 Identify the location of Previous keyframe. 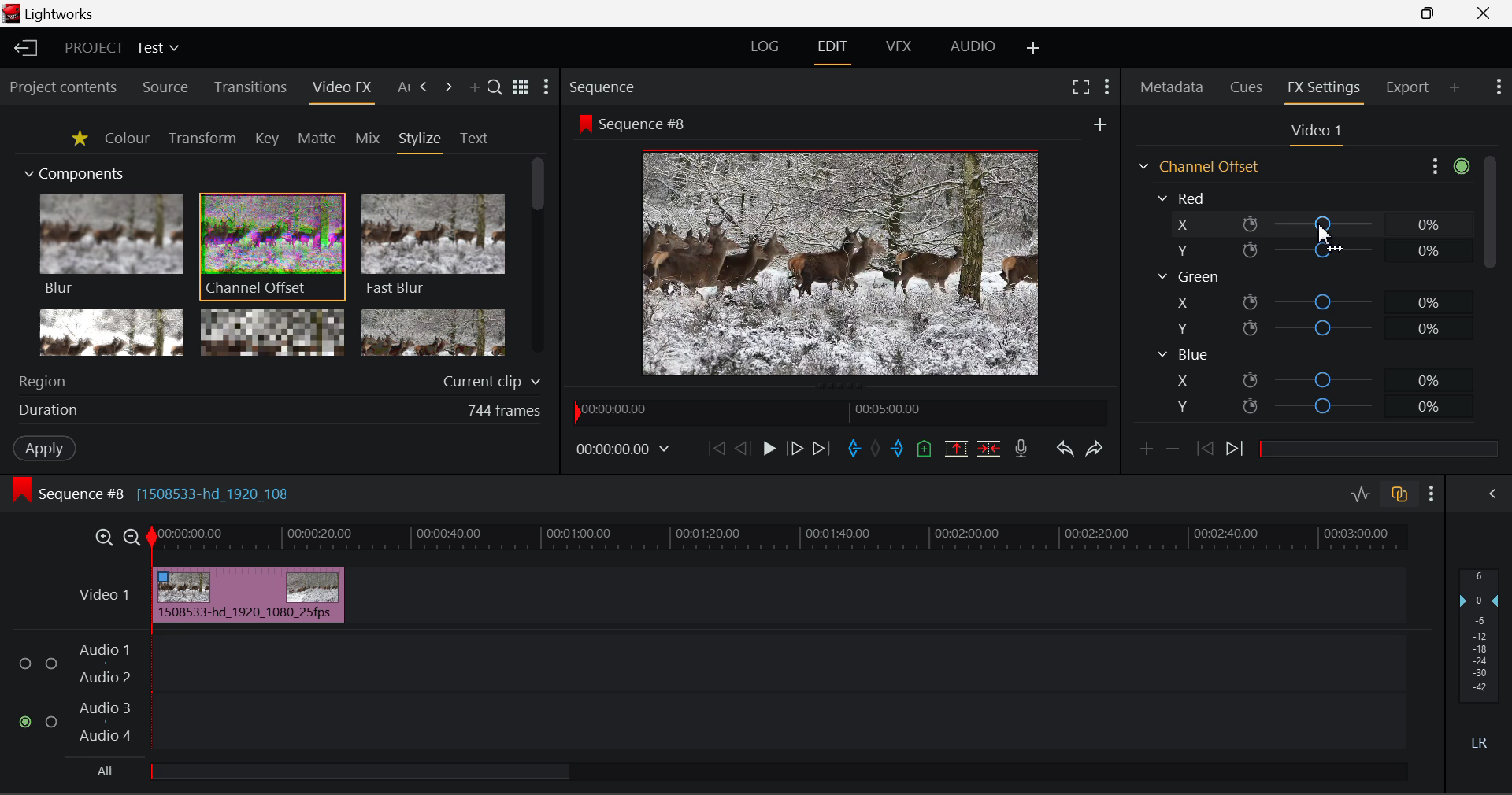
(1206, 449).